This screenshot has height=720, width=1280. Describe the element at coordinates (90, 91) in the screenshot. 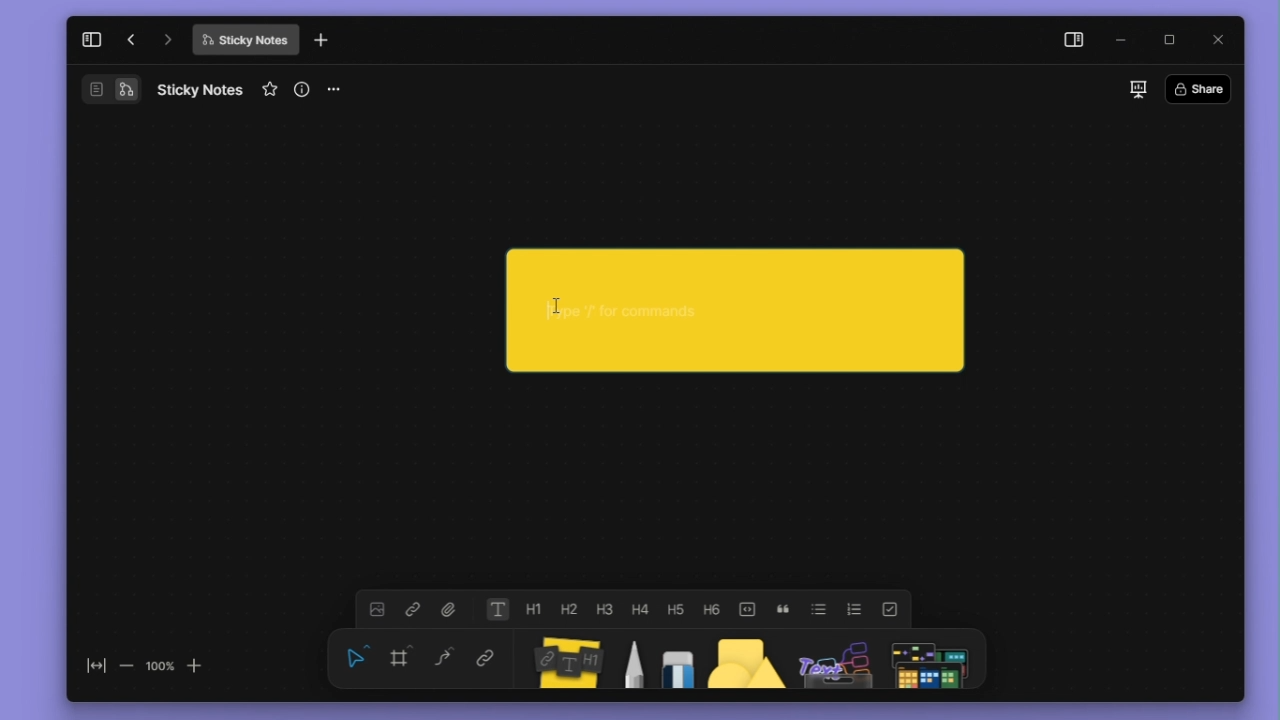

I see `Document/Page Overview` at that location.